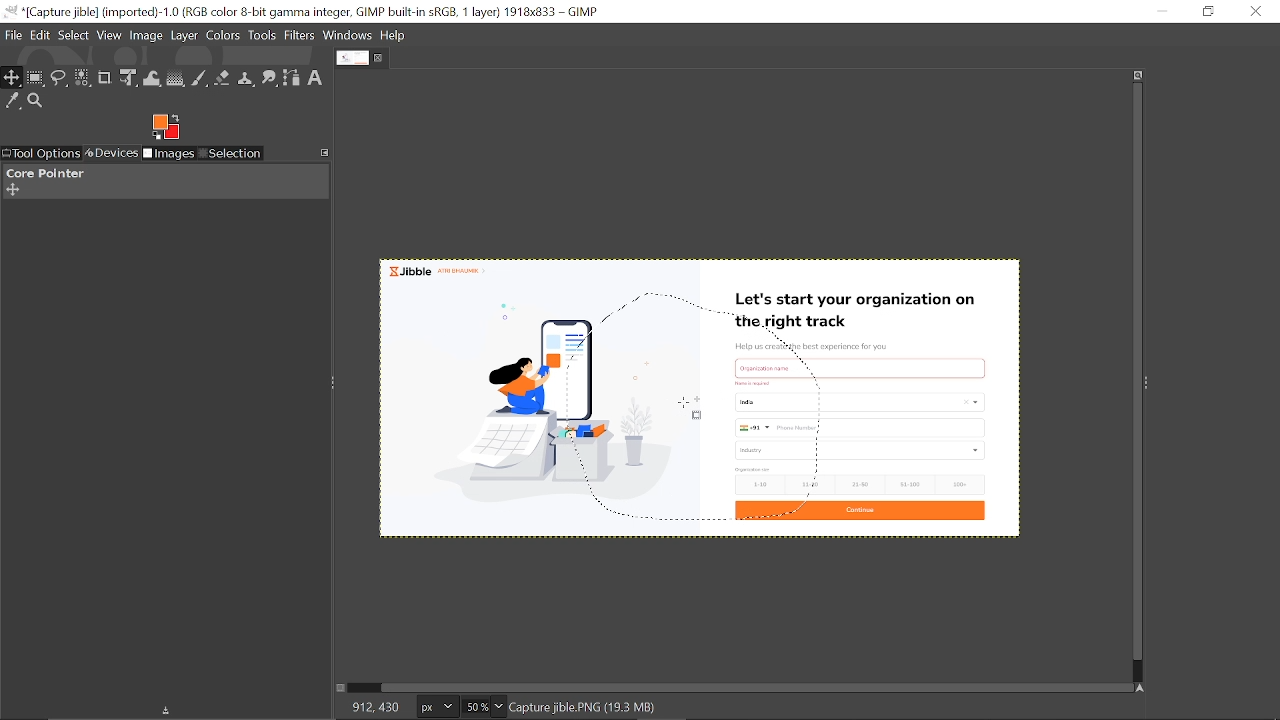  I want to click on Move tool, so click(12, 78).